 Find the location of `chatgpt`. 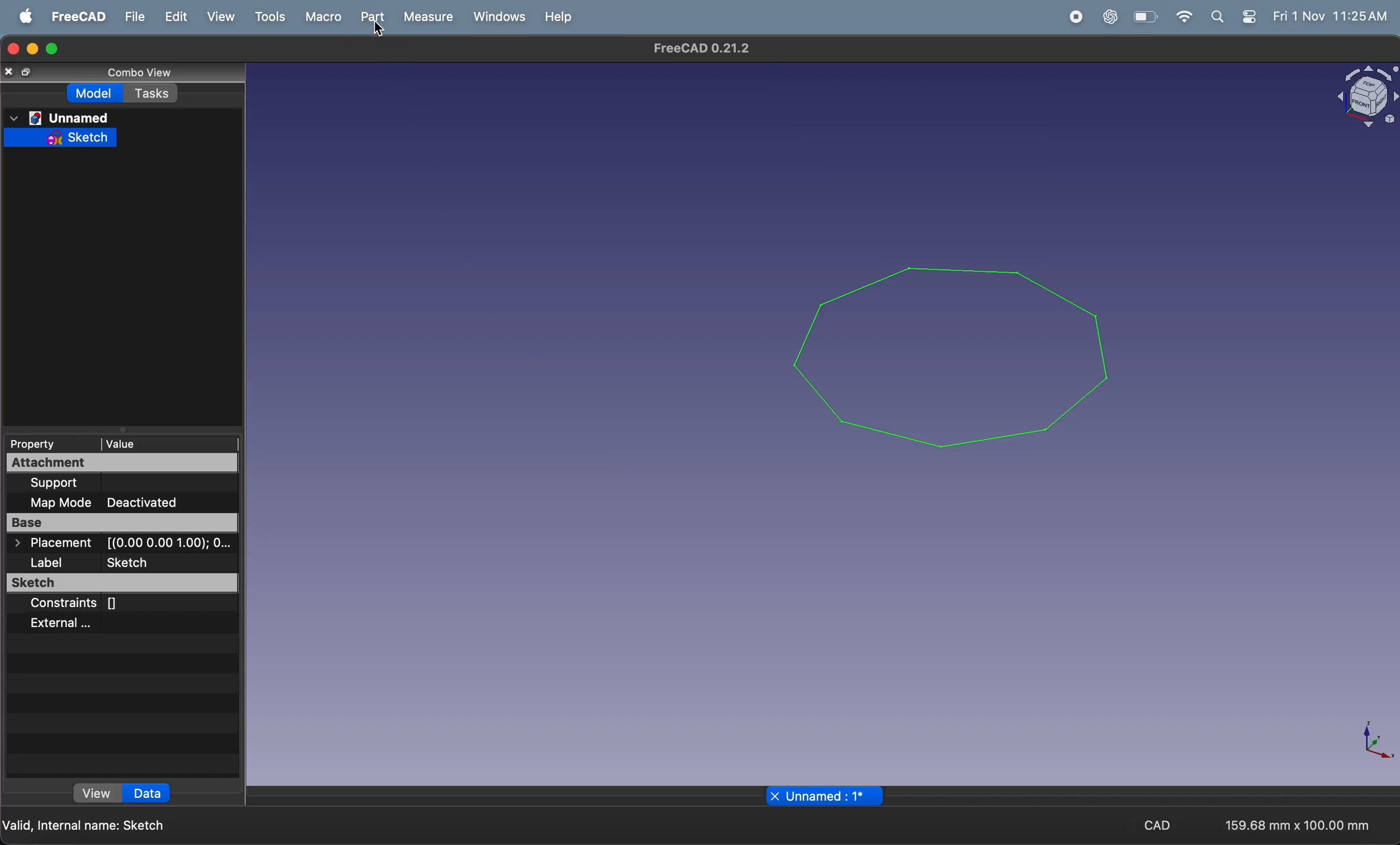

chatgpt is located at coordinates (1107, 17).